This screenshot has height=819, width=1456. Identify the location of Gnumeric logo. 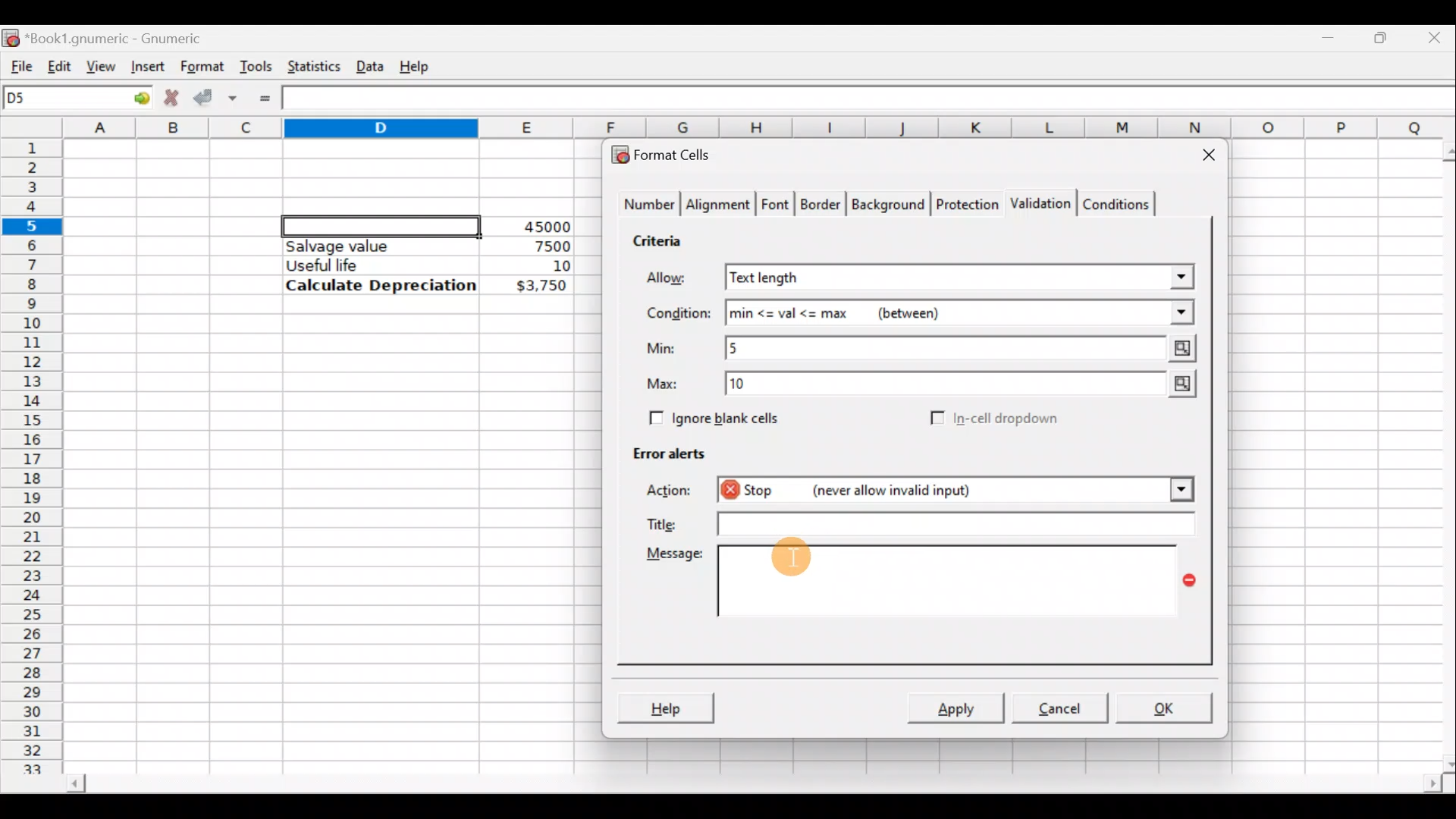
(11, 36).